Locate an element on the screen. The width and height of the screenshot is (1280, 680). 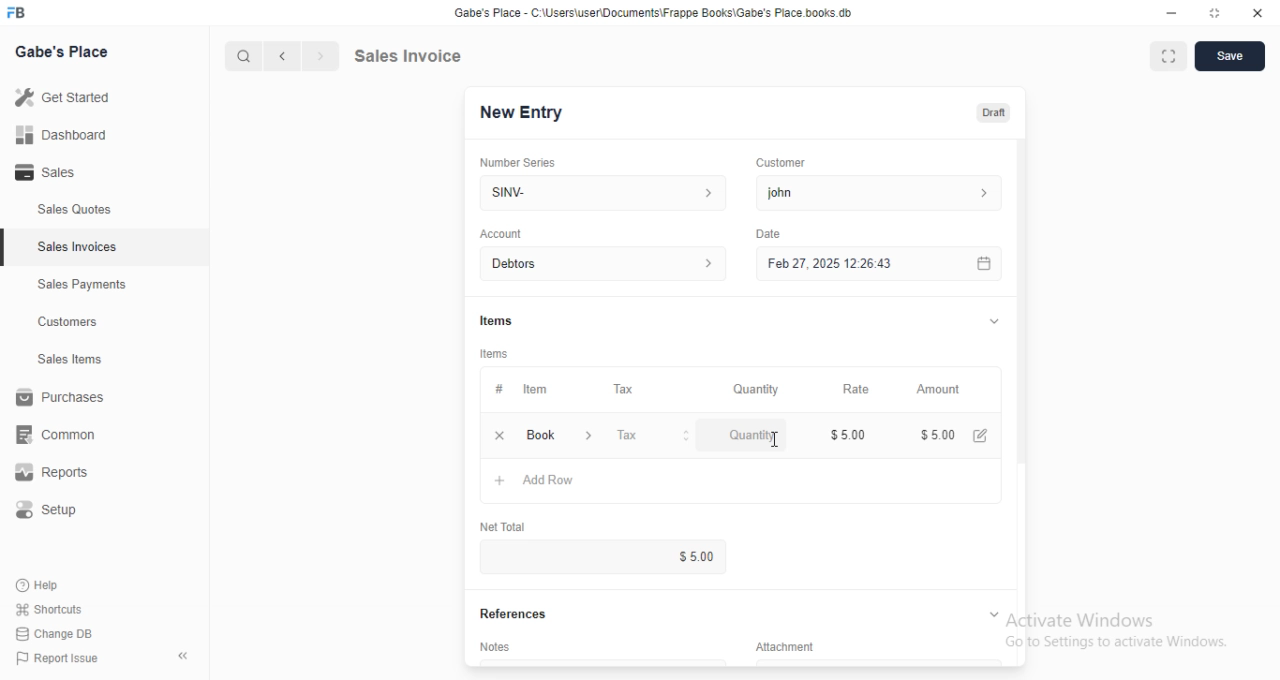
Search is located at coordinates (242, 53).